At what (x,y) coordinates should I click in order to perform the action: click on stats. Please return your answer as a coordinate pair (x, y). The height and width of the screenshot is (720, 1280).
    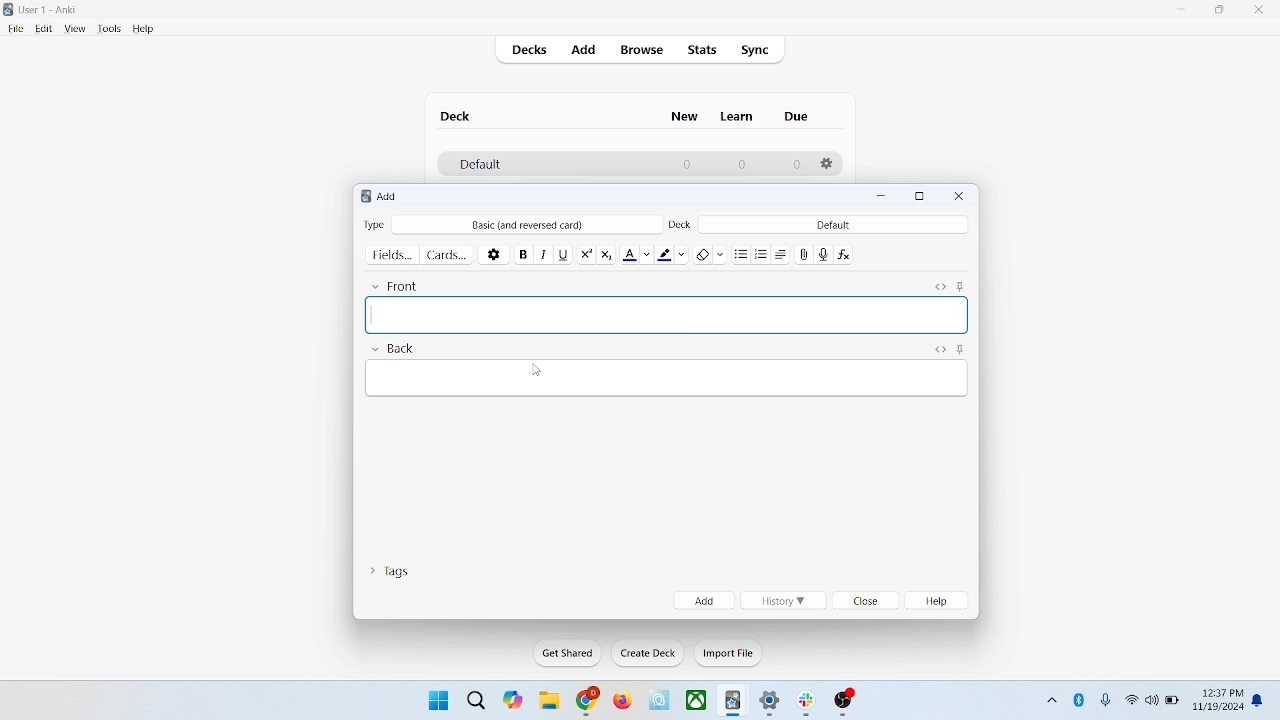
    Looking at the image, I should click on (701, 50).